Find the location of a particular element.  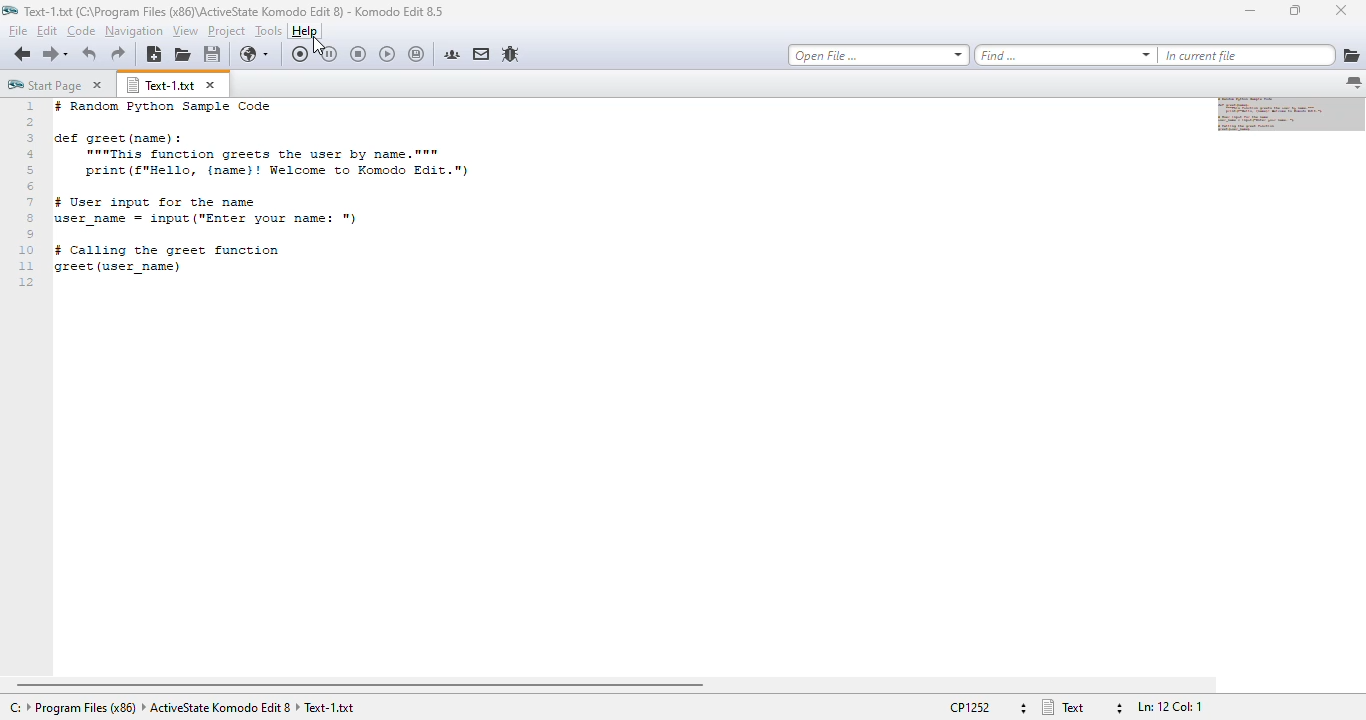

start page is located at coordinates (44, 84).